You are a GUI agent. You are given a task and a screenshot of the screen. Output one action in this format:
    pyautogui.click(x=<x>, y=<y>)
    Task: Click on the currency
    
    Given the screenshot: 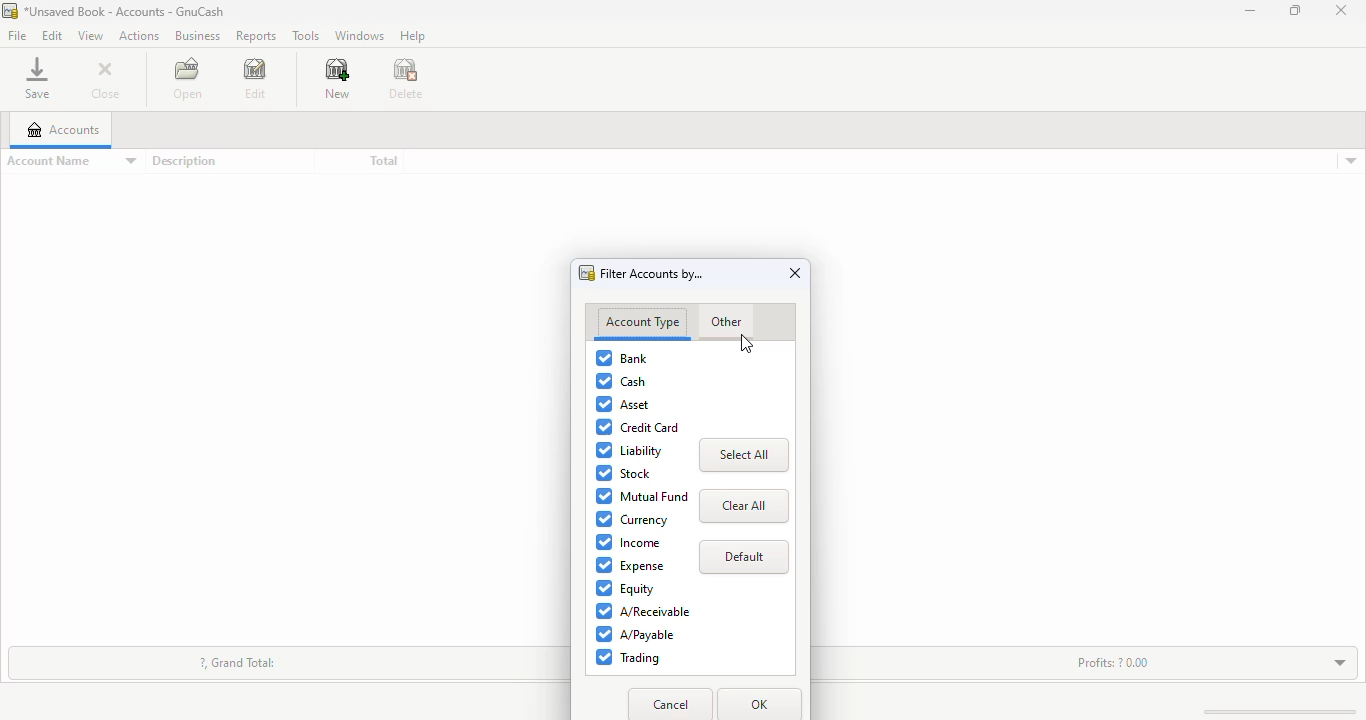 What is the action you would take?
    pyautogui.click(x=633, y=519)
    